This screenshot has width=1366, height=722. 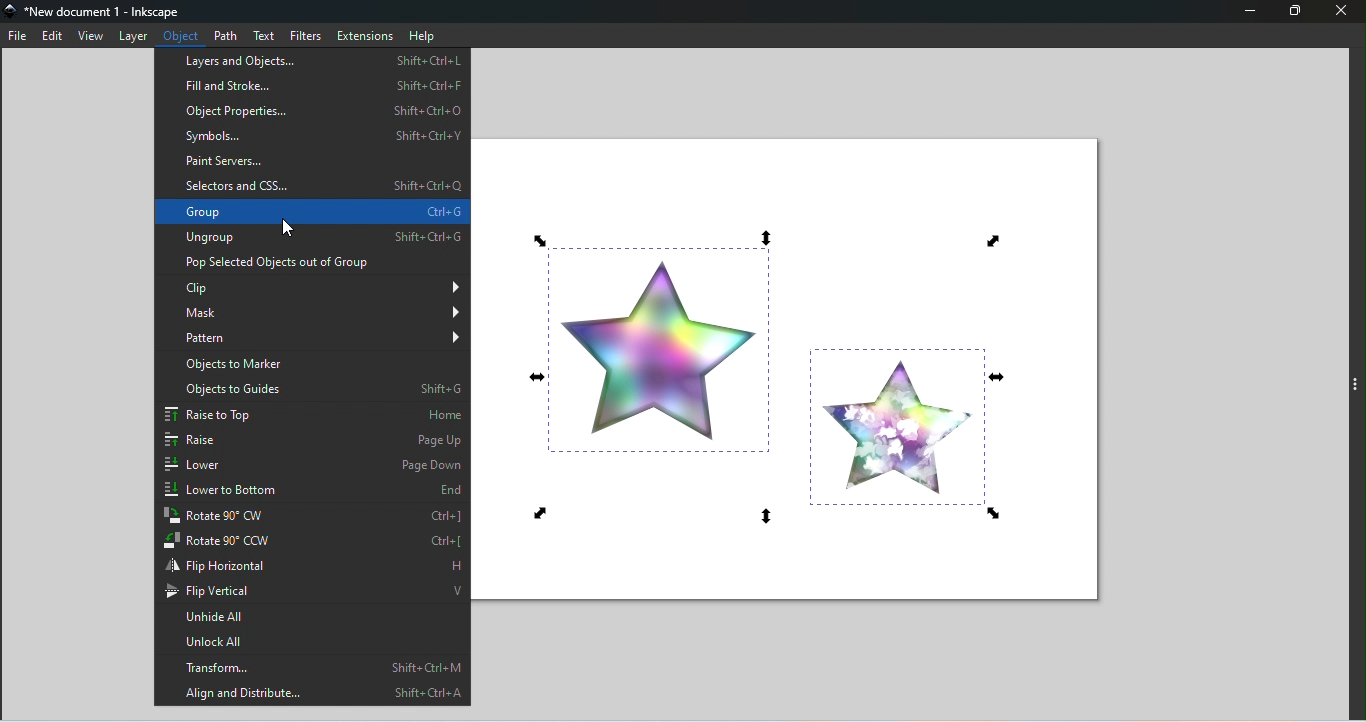 What do you see at coordinates (316, 516) in the screenshot?
I see `Rotate 90° CW` at bounding box center [316, 516].